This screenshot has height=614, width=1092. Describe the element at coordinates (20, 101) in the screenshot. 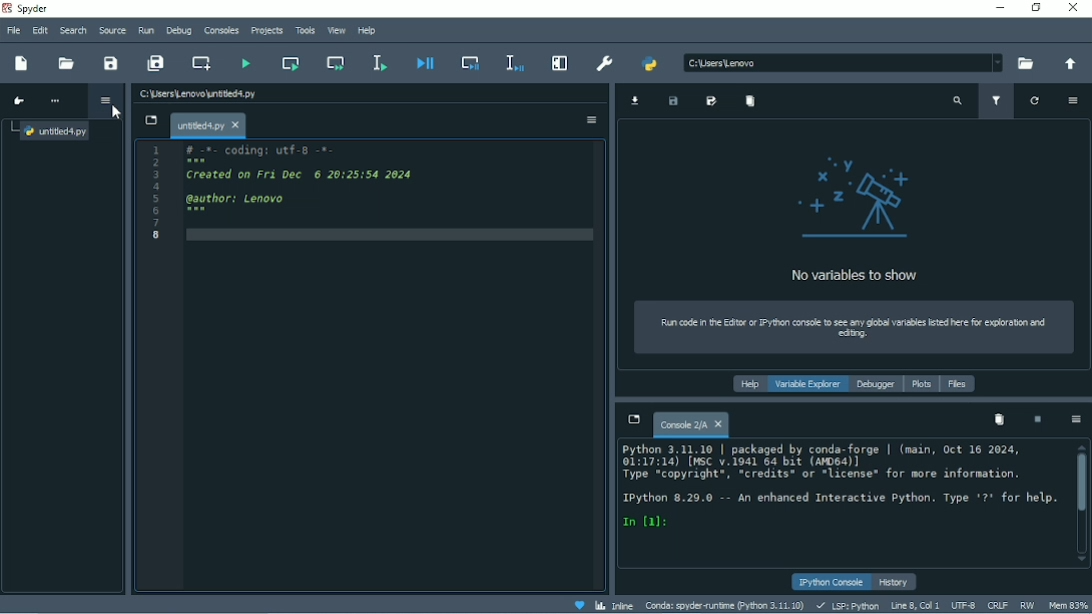

I see `Go to cursor position` at that location.